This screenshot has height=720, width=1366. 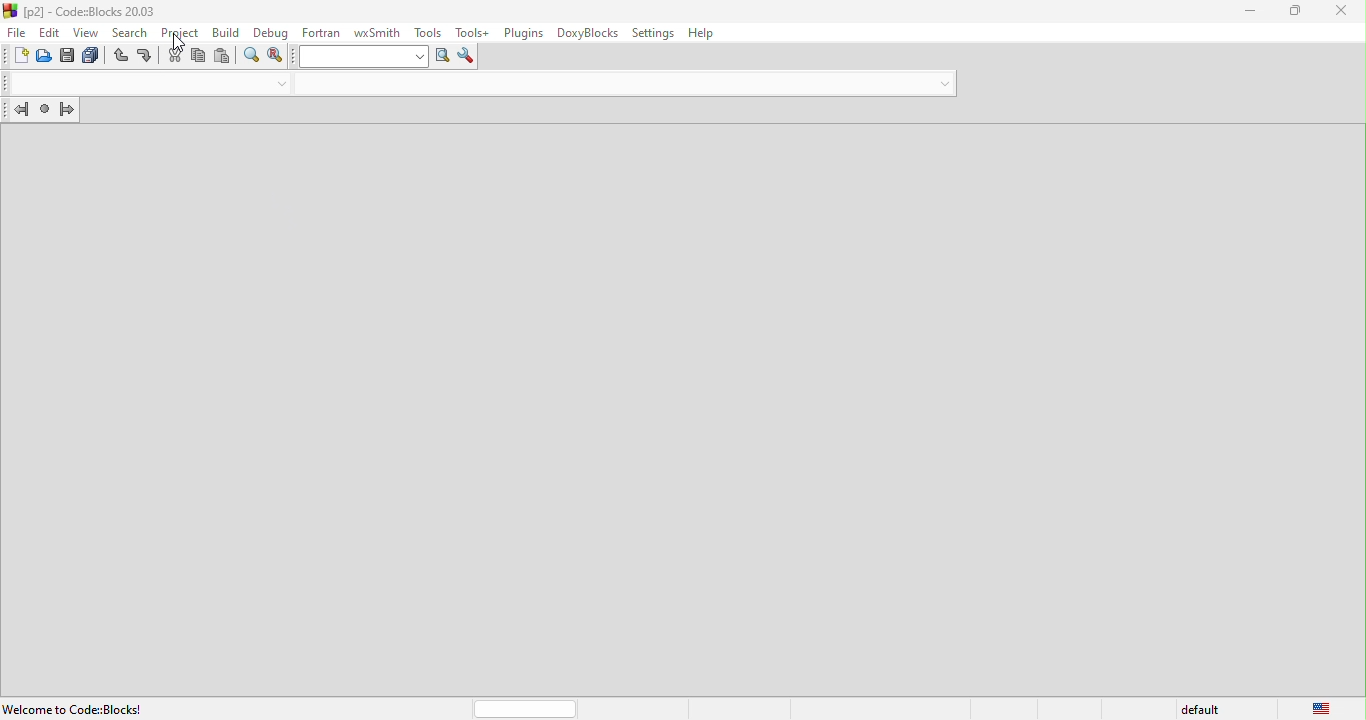 What do you see at coordinates (122, 58) in the screenshot?
I see `undo` at bounding box center [122, 58].